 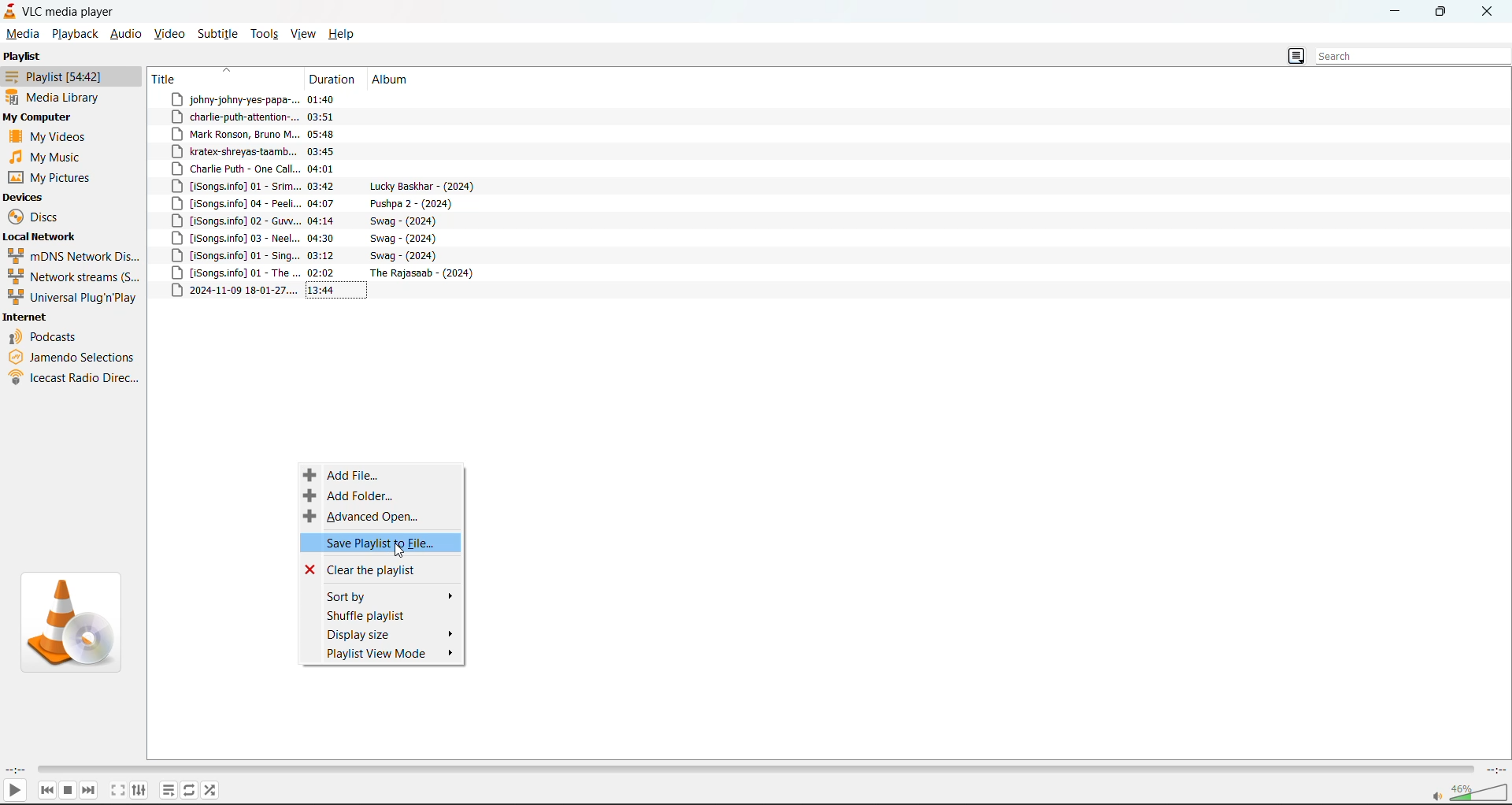 I want to click on subtitle, so click(x=220, y=34).